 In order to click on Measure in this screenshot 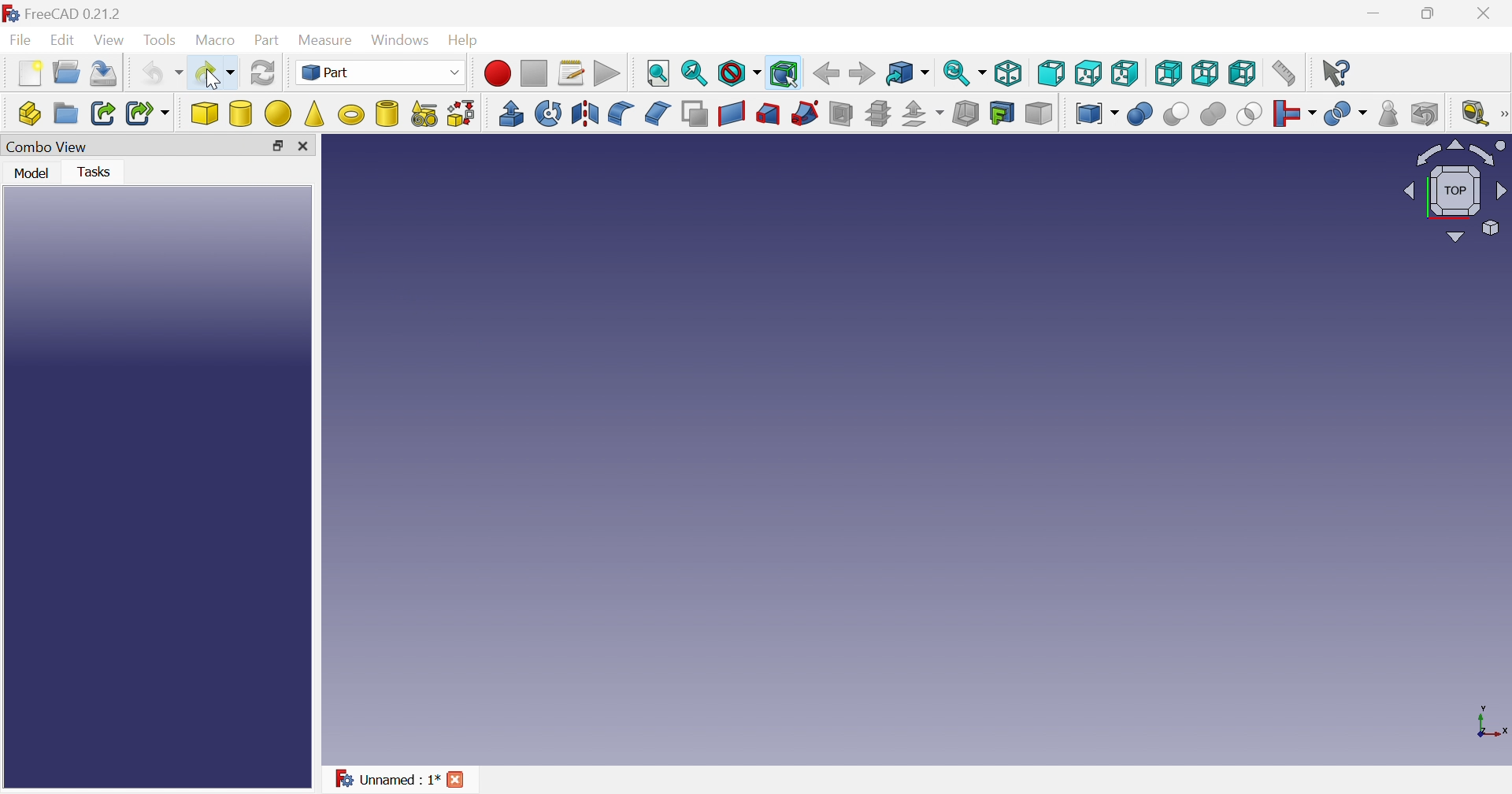, I will do `click(1503, 117)`.